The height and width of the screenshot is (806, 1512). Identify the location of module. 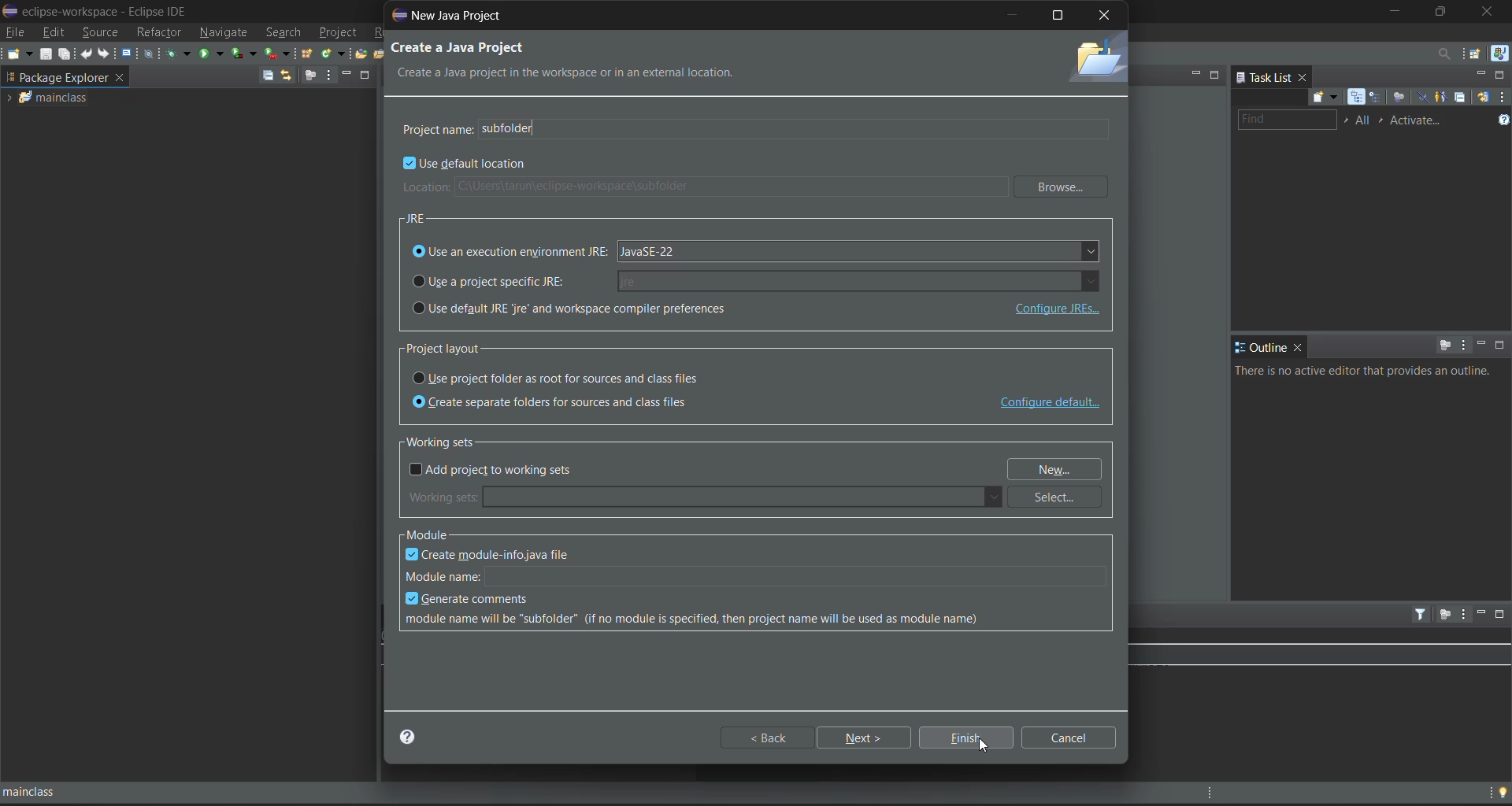
(435, 534).